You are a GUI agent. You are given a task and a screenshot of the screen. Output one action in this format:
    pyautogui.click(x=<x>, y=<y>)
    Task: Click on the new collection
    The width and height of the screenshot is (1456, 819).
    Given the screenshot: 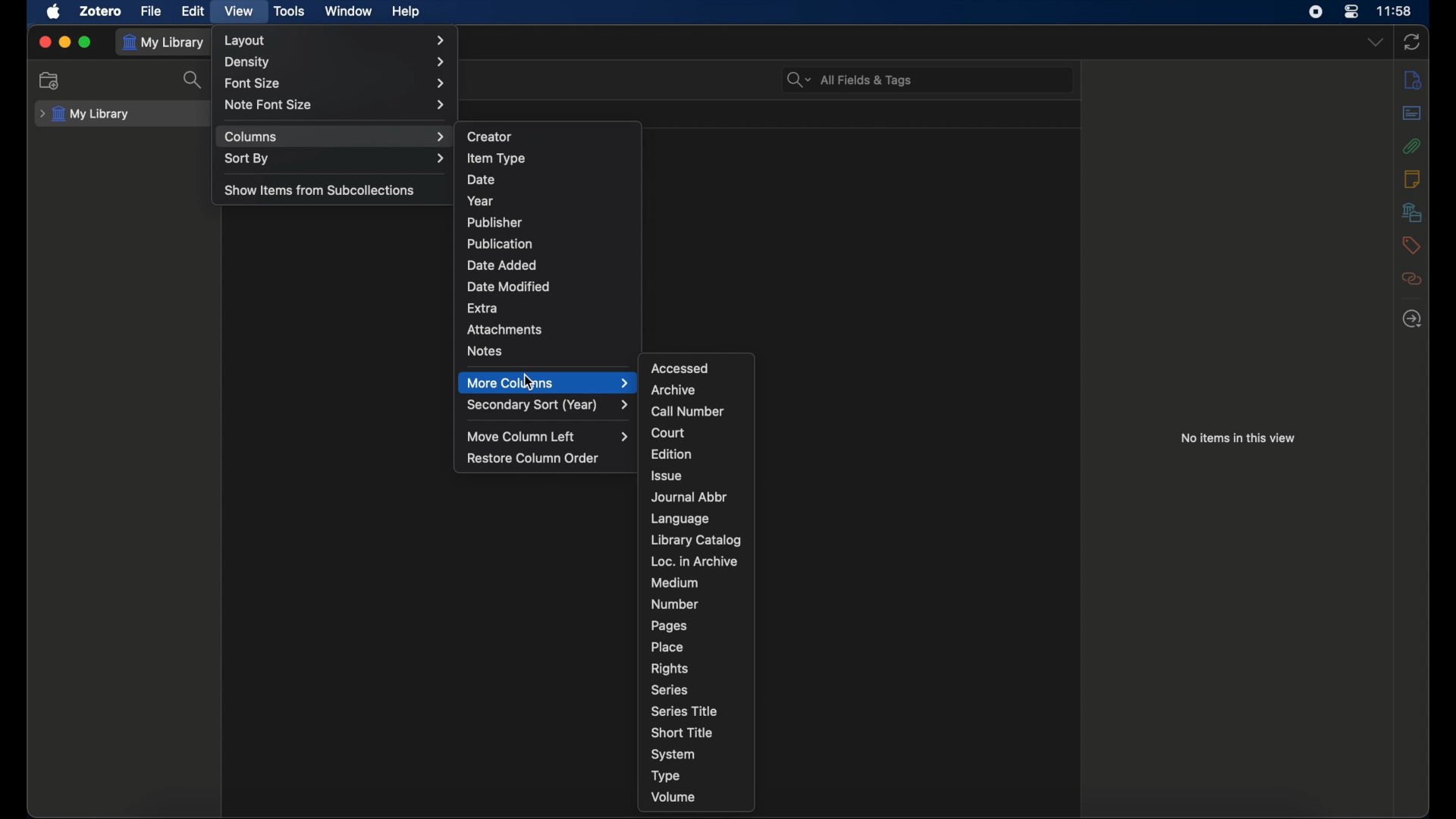 What is the action you would take?
    pyautogui.click(x=50, y=81)
    